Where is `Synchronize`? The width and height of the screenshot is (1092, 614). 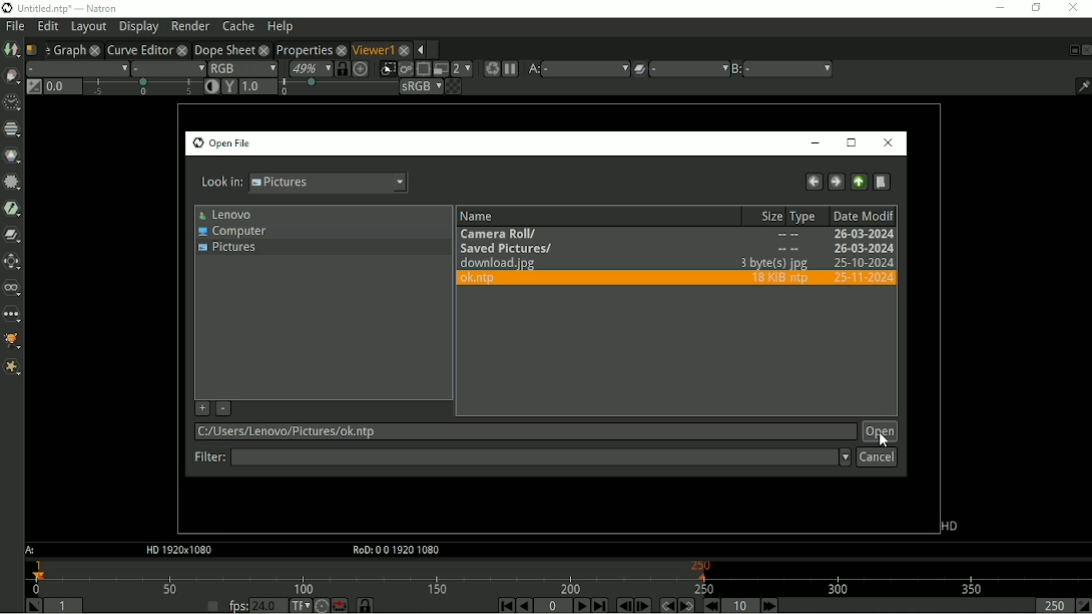
Synchronize is located at coordinates (342, 68).